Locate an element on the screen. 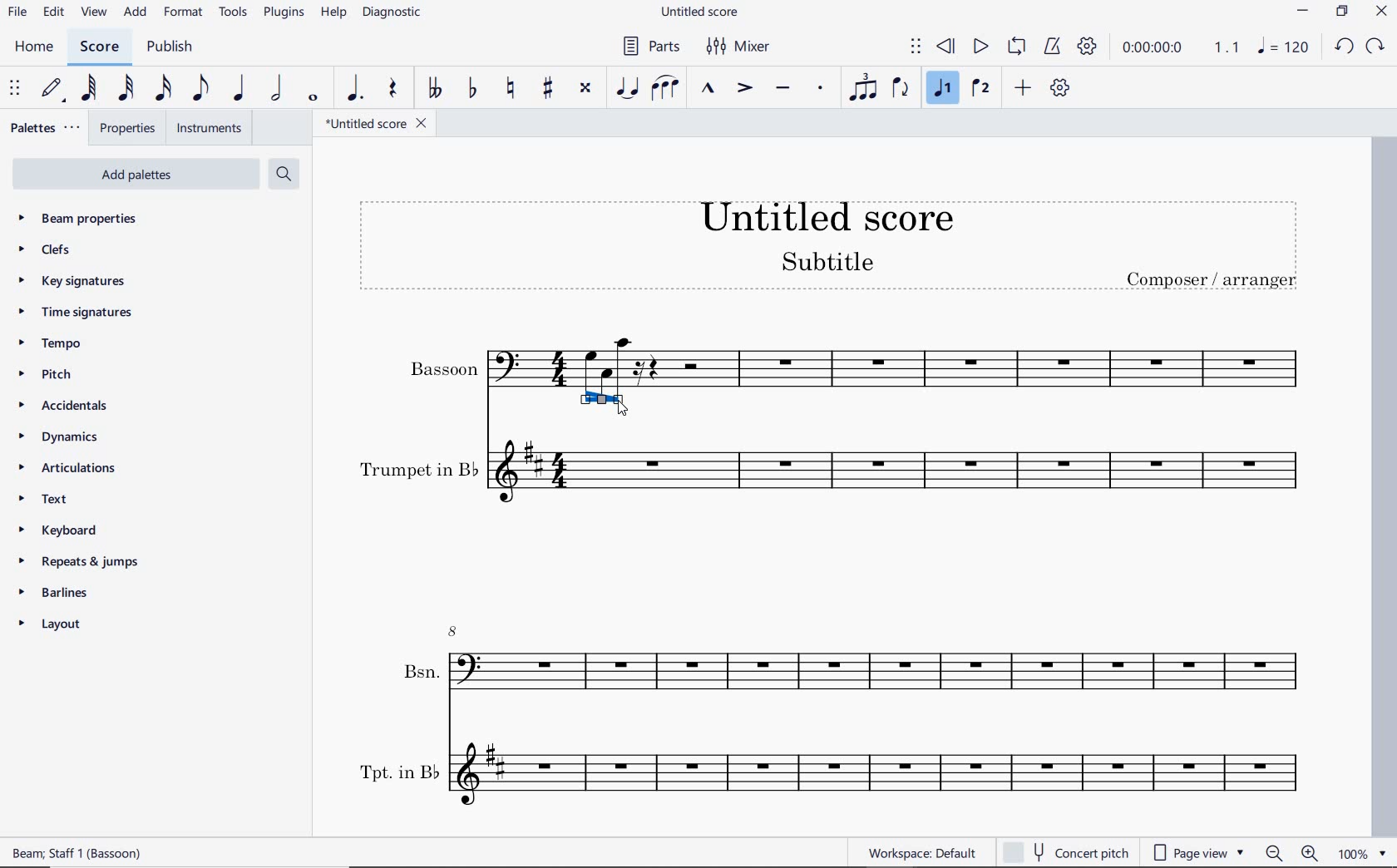  barlines is located at coordinates (55, 594).